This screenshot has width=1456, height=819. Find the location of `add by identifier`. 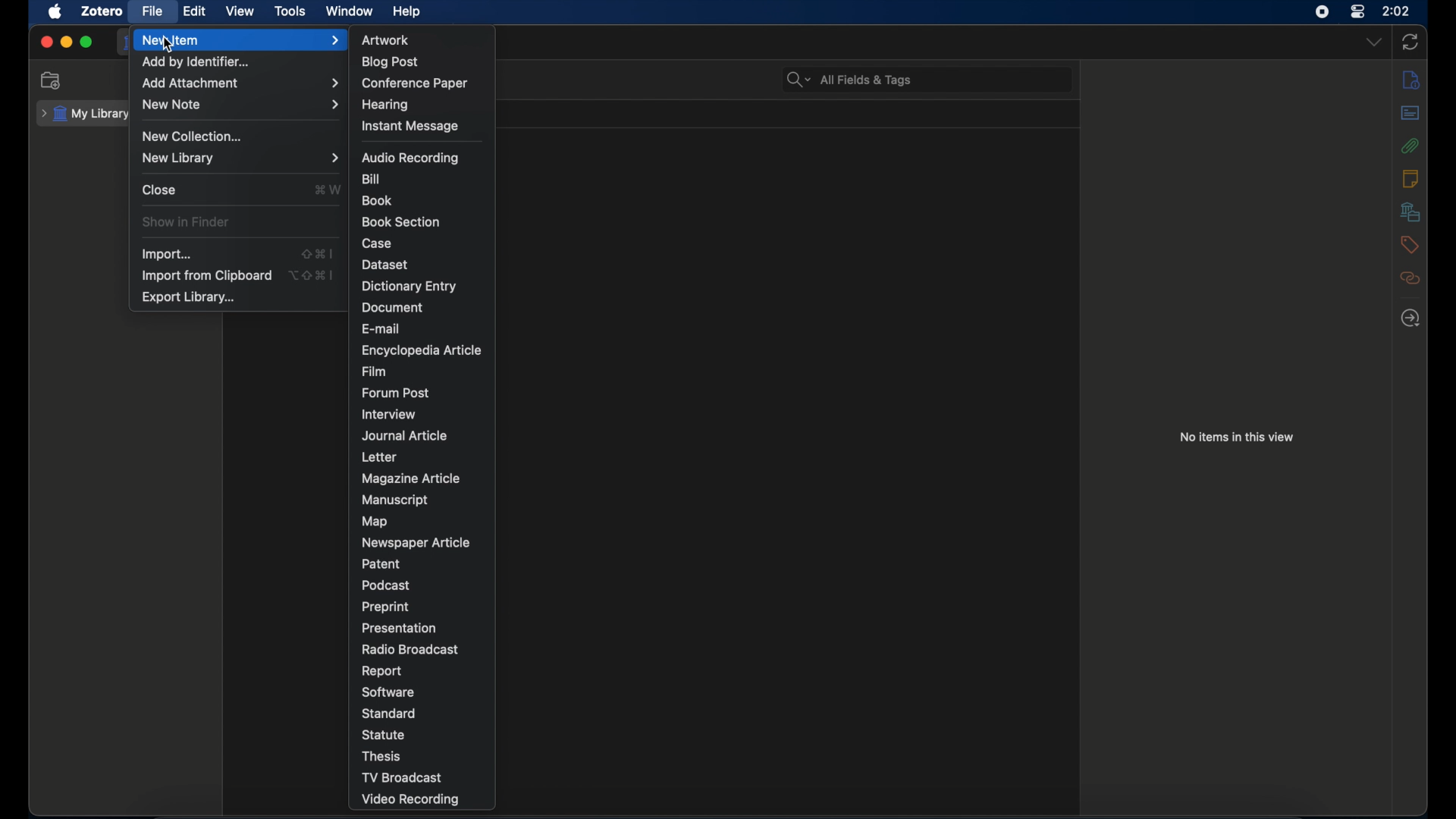

add by identifier is located at coordinates (197, 63).